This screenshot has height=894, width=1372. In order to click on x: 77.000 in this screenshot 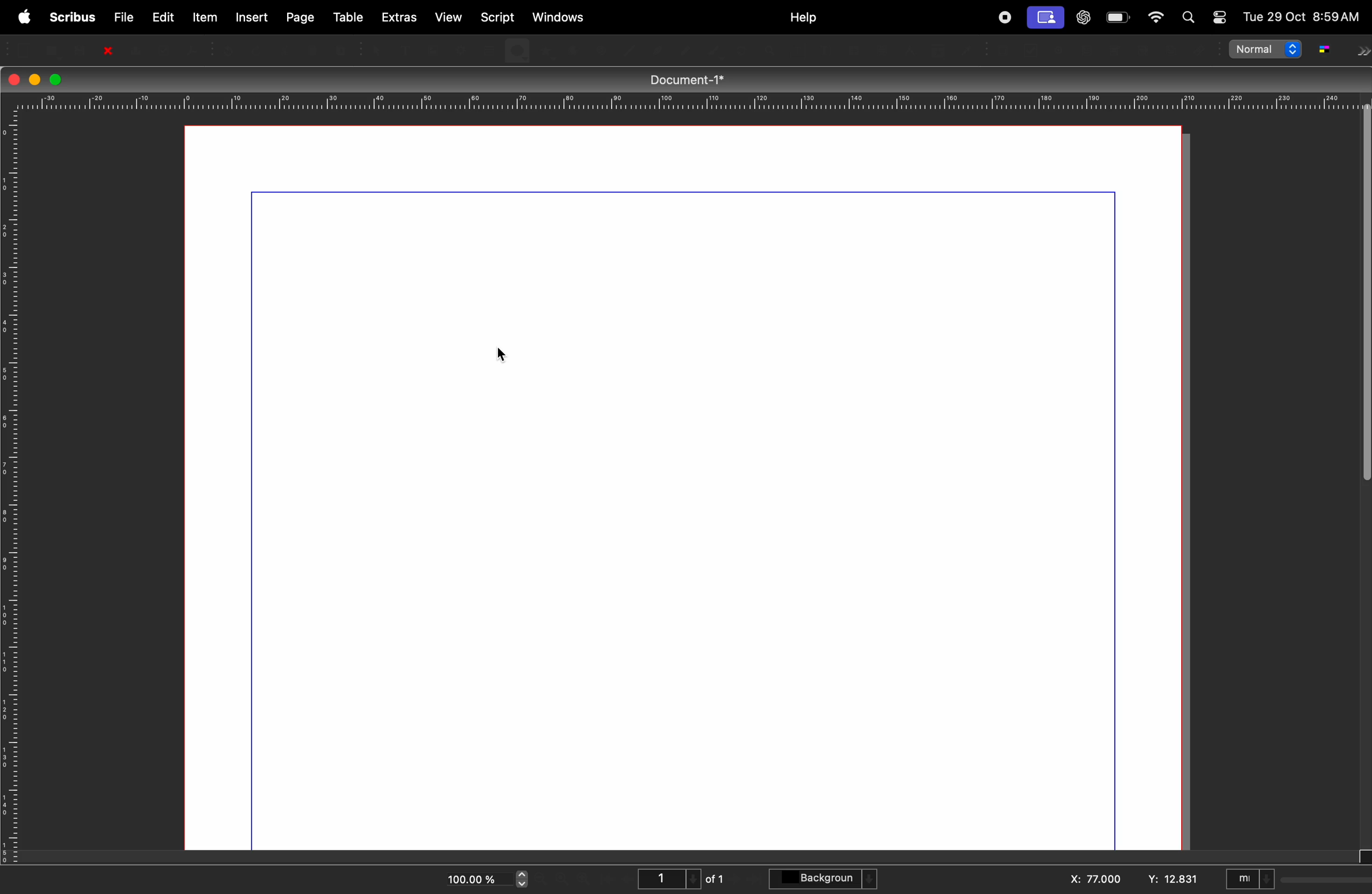, I will do `click(1095, 877)`.